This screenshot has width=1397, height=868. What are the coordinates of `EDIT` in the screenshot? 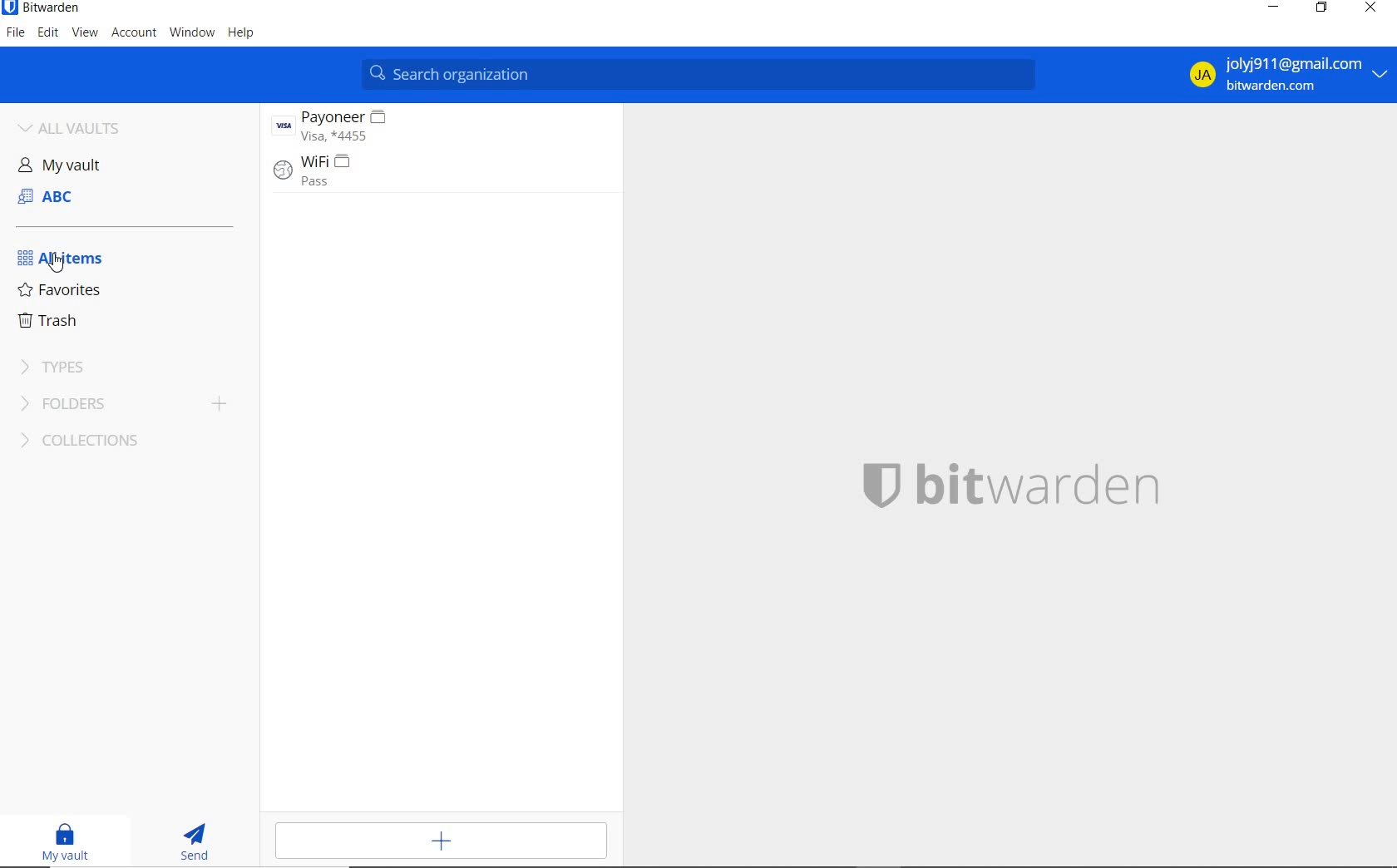 It's located at (49, 34).